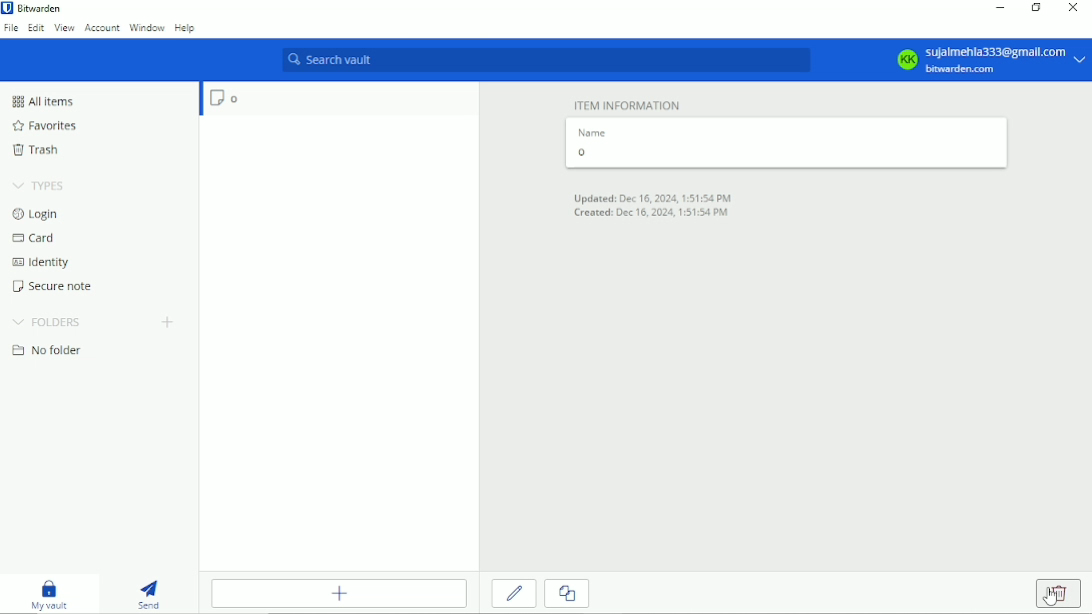 This screenshot has height=614, width=1092. Describe the element at coordinates (47, 323) in the screenshot. I see `Folders` at that location.